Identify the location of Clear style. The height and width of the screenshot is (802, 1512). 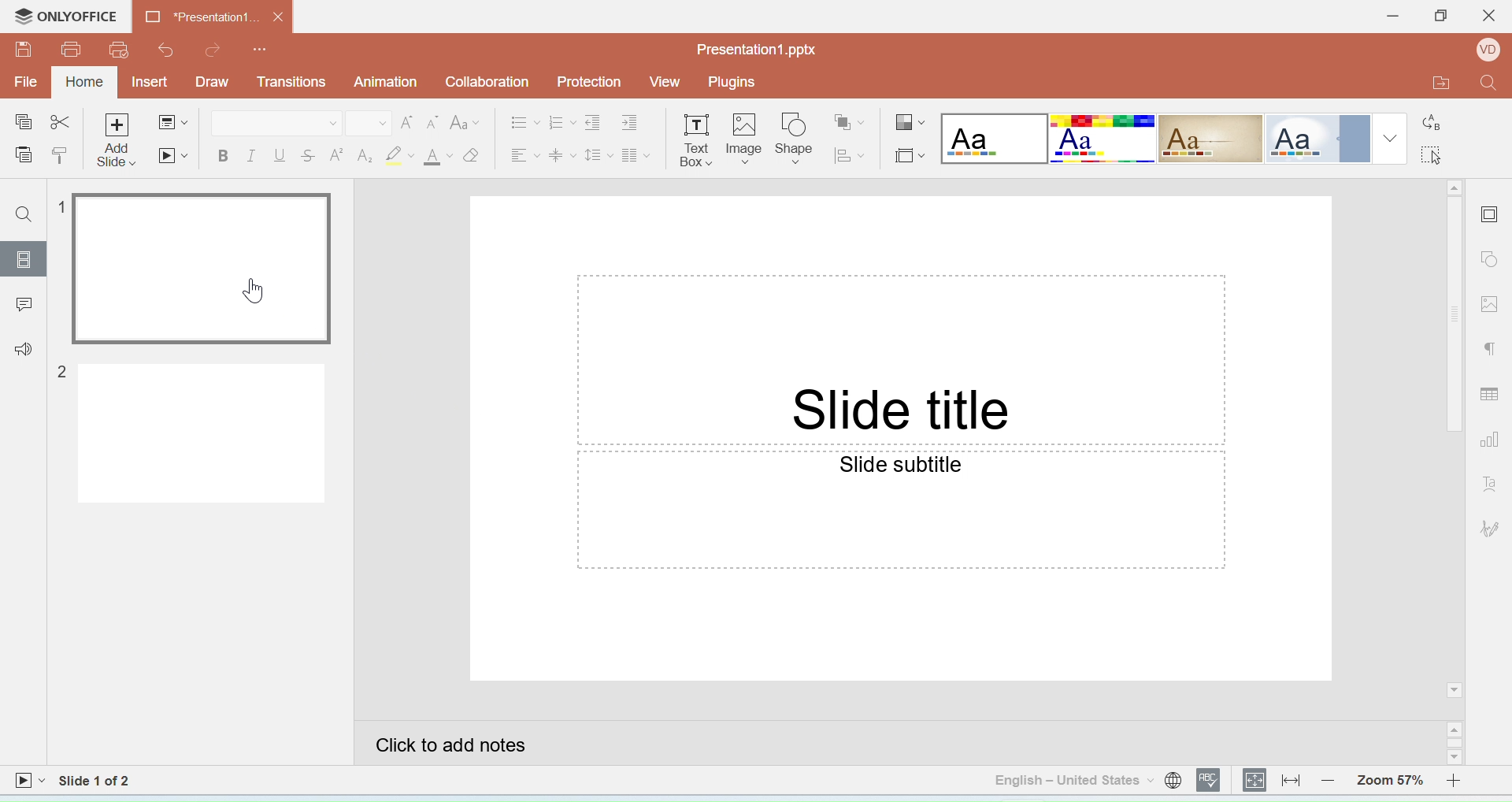
(472, 155).